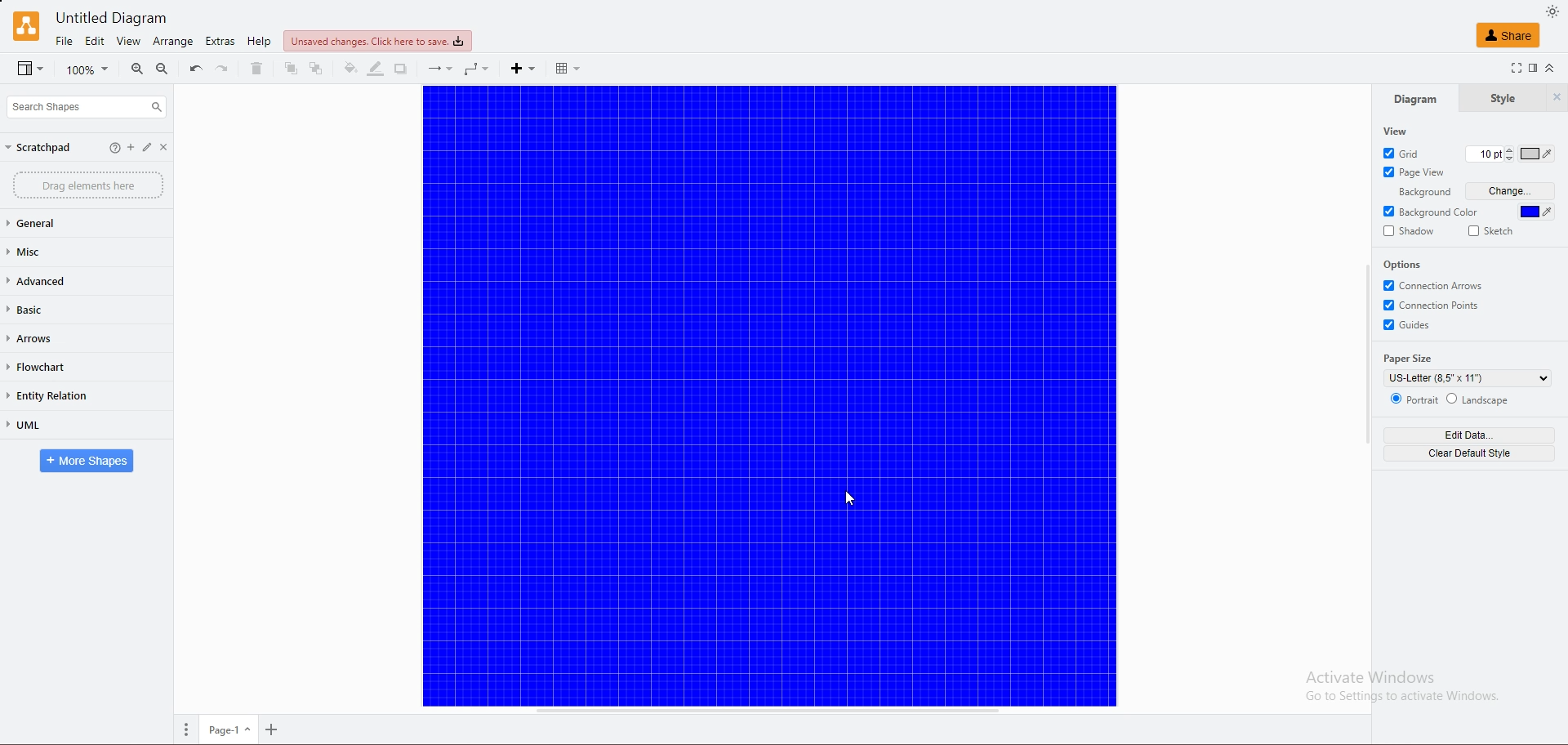 This screenshot has width=1568, height=745. What do you see at coordinates (68, 224) in the screenshot?
I see `general` at bounding box center [68, 224].